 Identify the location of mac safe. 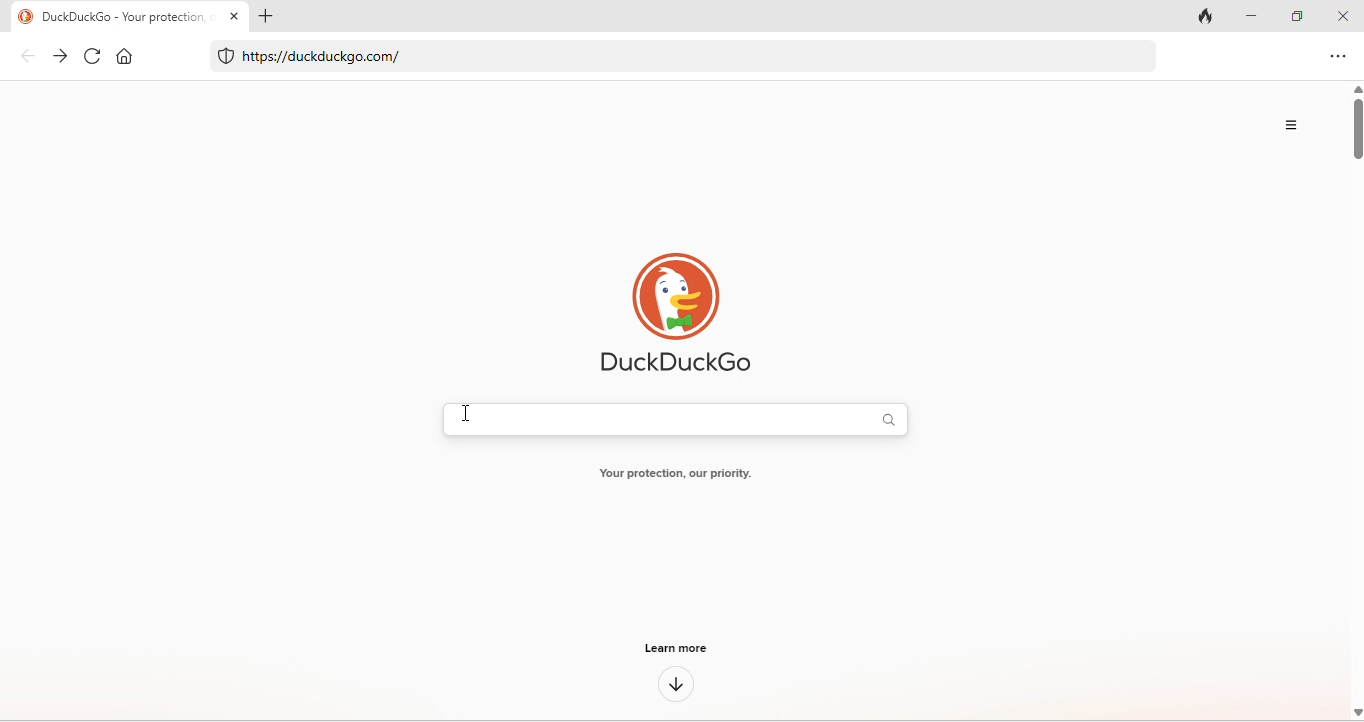
(227, 55).